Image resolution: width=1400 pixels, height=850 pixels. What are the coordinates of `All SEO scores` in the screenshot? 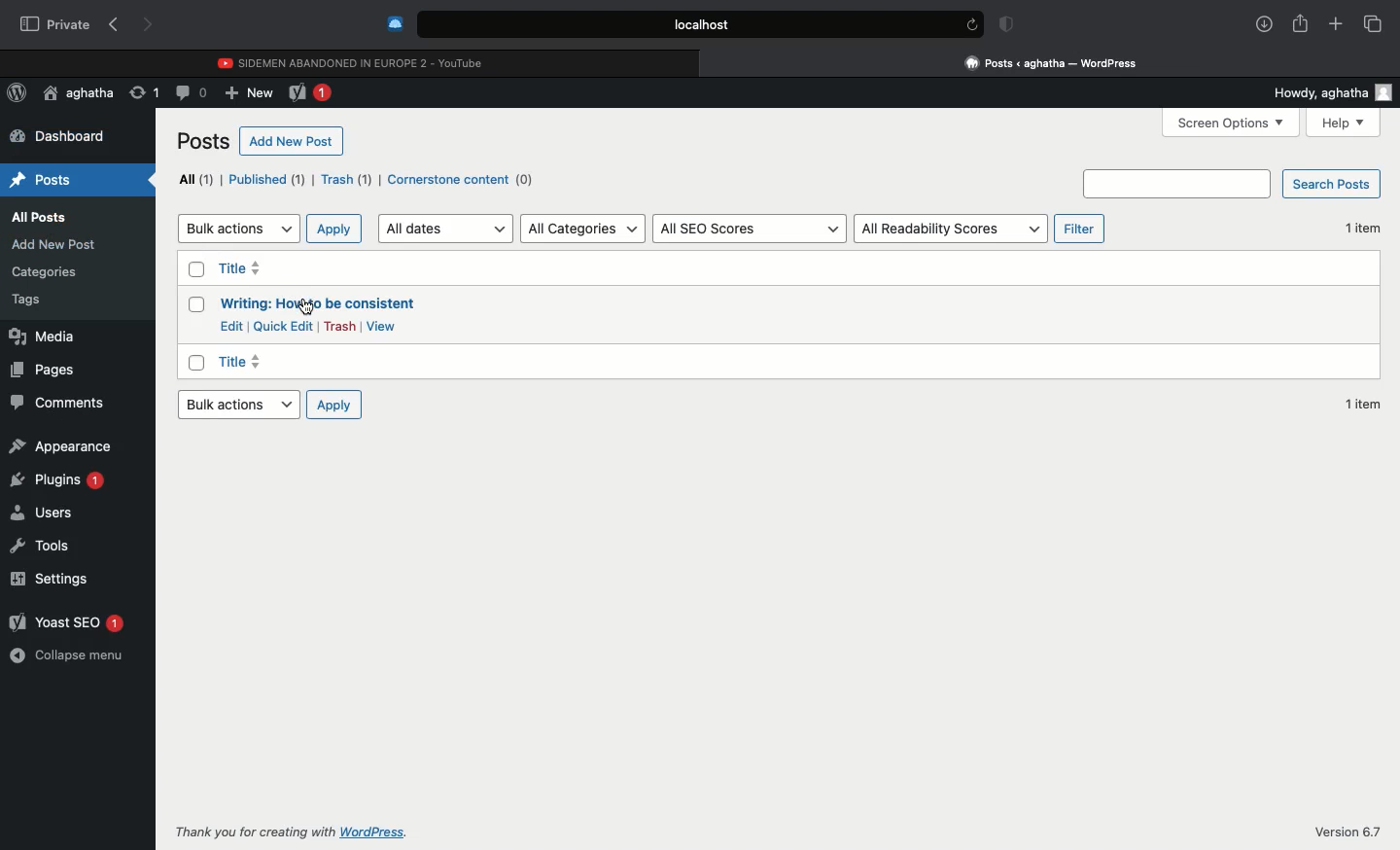 It's located at (750, 229).